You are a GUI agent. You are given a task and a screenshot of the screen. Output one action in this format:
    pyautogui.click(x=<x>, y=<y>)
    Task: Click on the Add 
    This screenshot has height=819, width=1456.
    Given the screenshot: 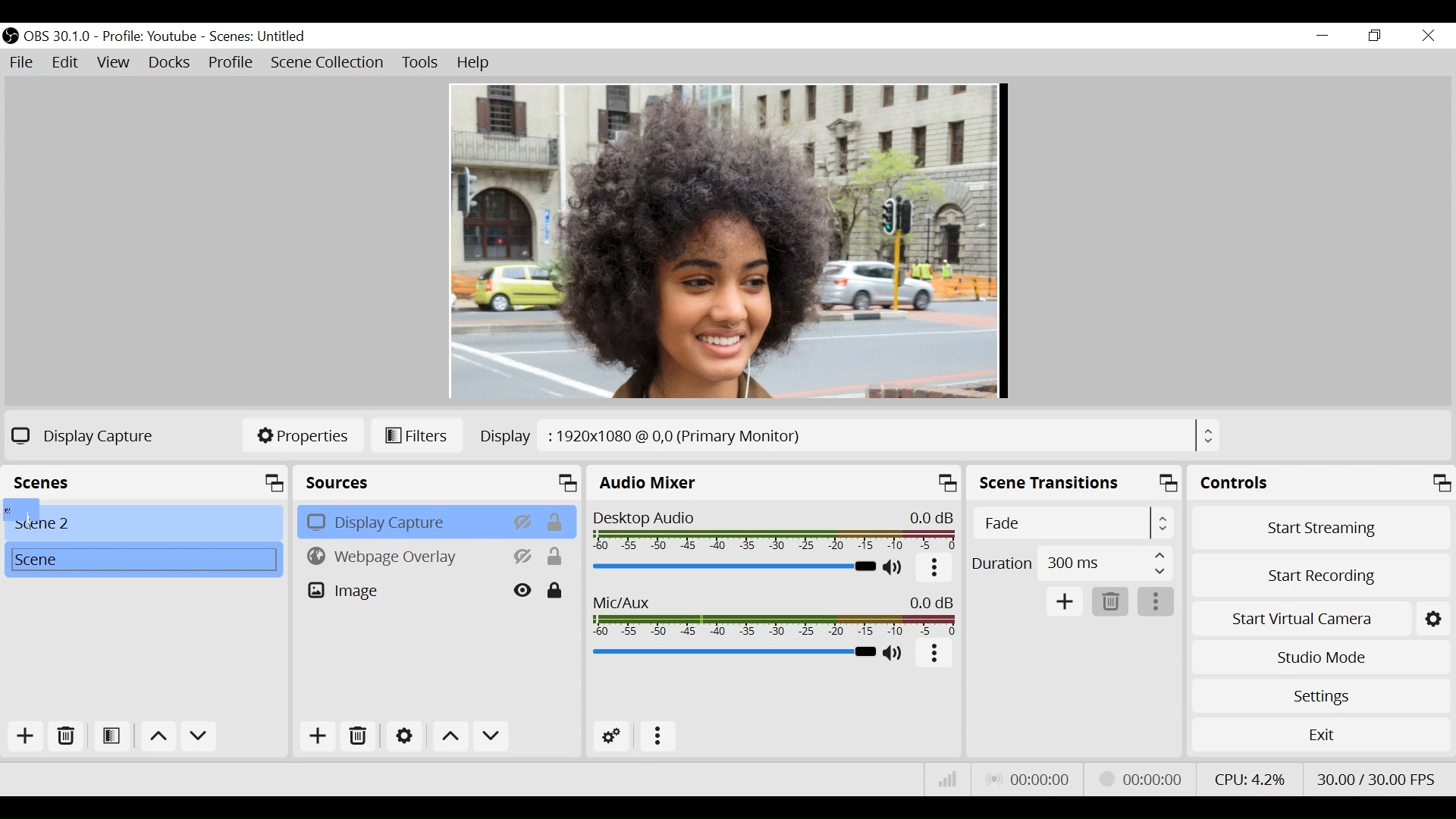 What is the action you would take?
    pyautogui.click(x=1064, y=600)
    